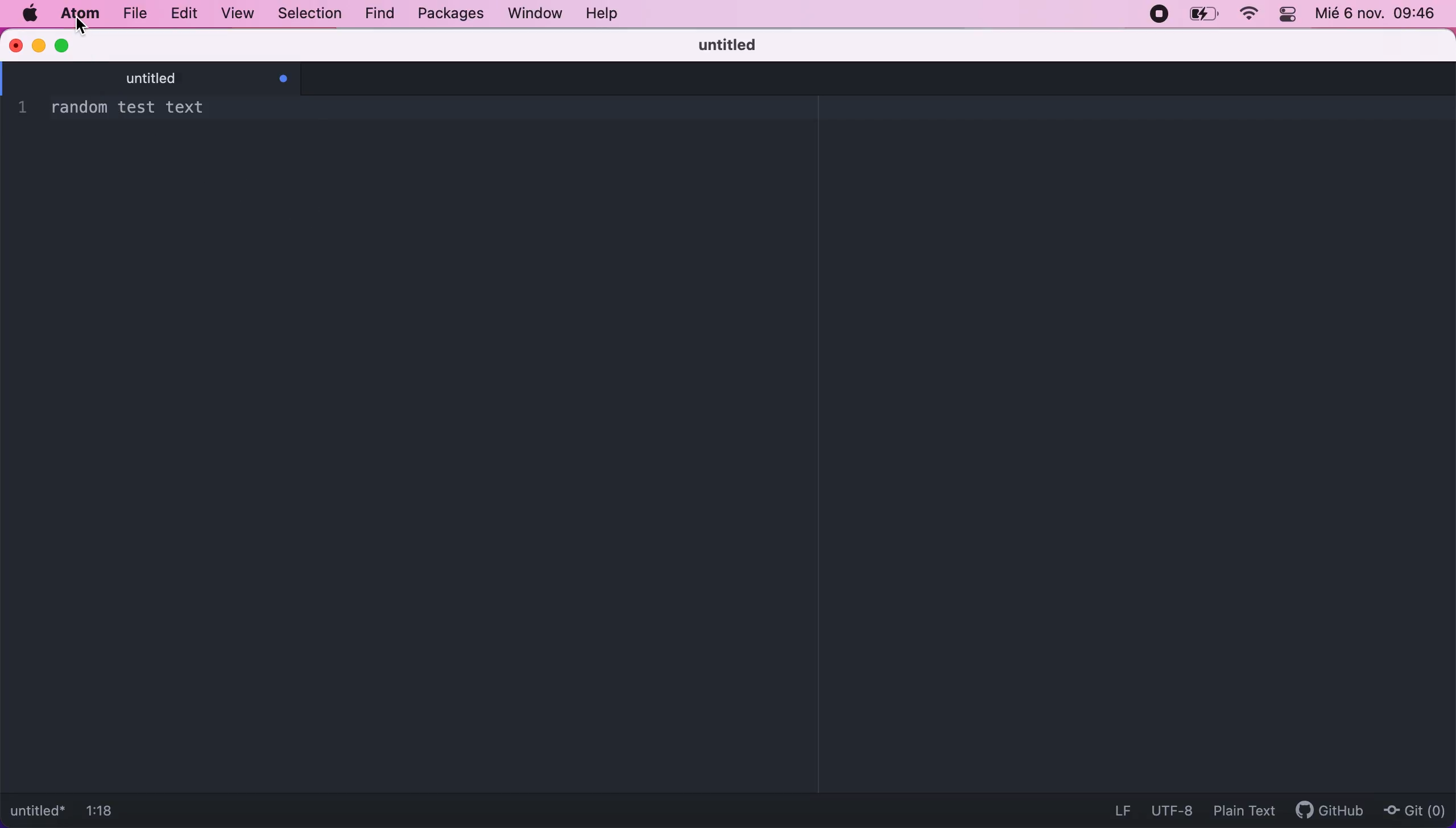  Describe the element at coordinates (1379, 15) in the screenshot. I see `Mié 6 nov. 09:46` at that location.